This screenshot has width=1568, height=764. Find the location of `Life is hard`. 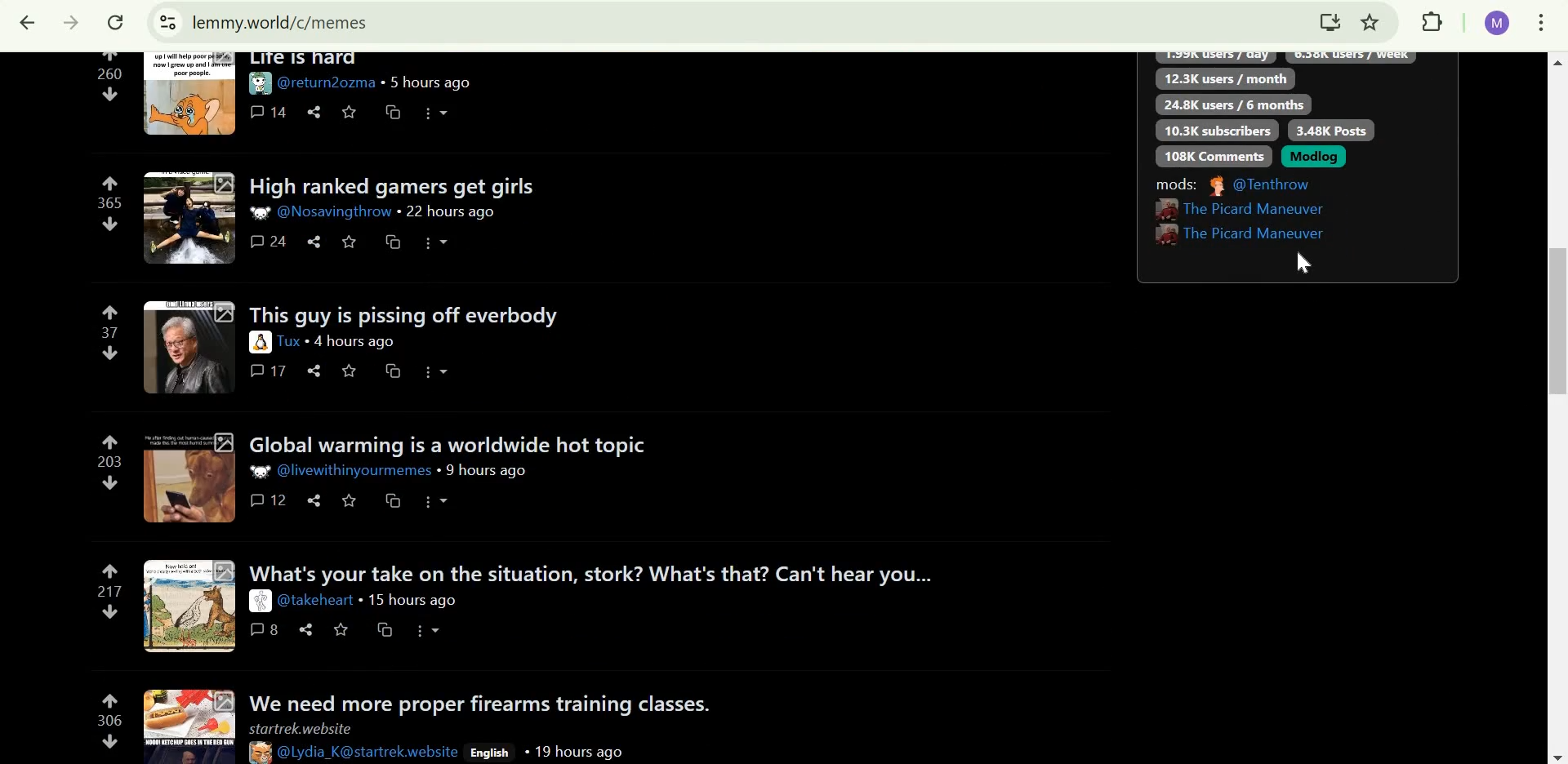

Life is hard is located at coordinates (304, 60).